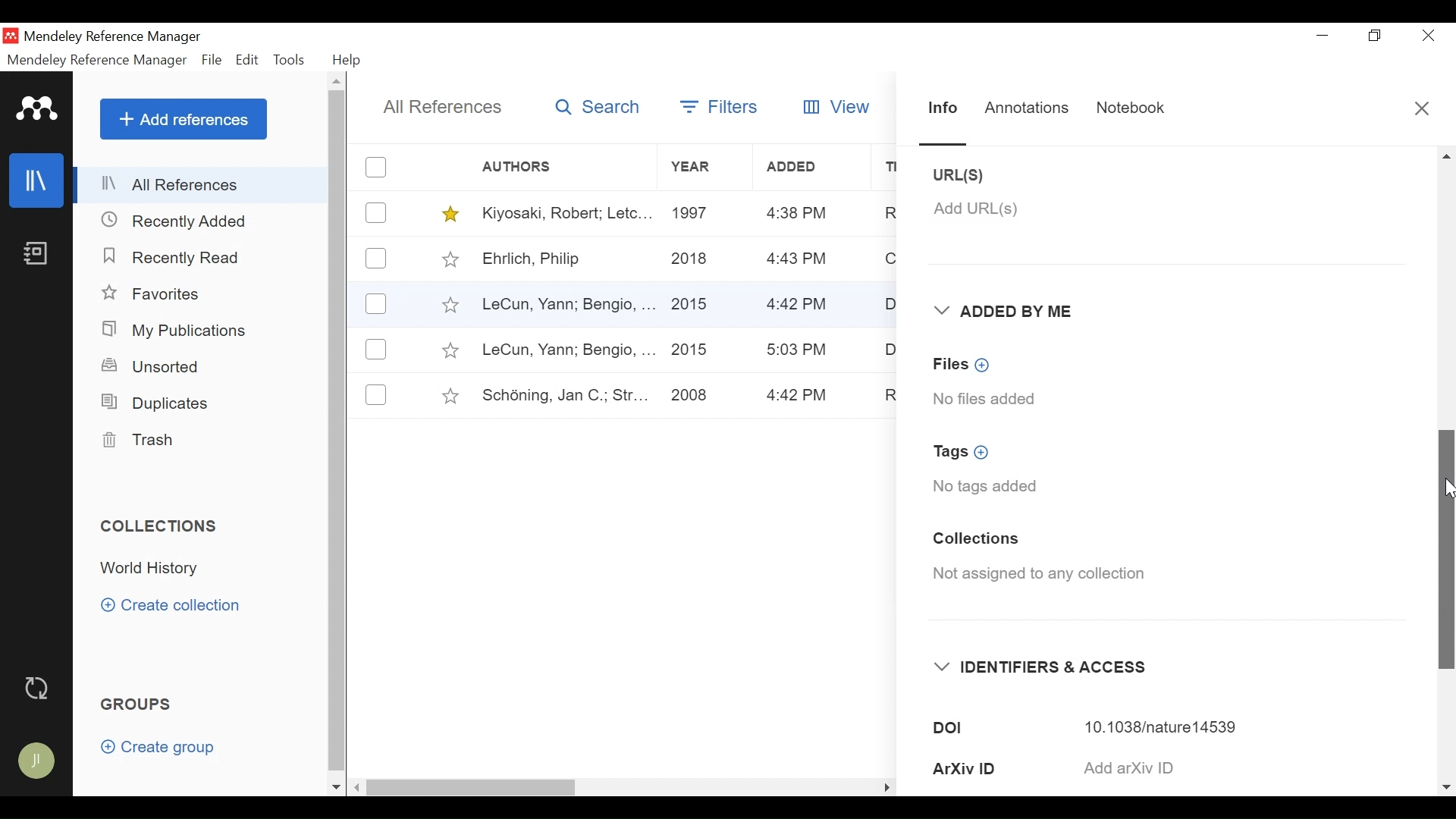  Describe the element at coordinates (1445, 486) in the screenshot. I see `Cursor` at that location.